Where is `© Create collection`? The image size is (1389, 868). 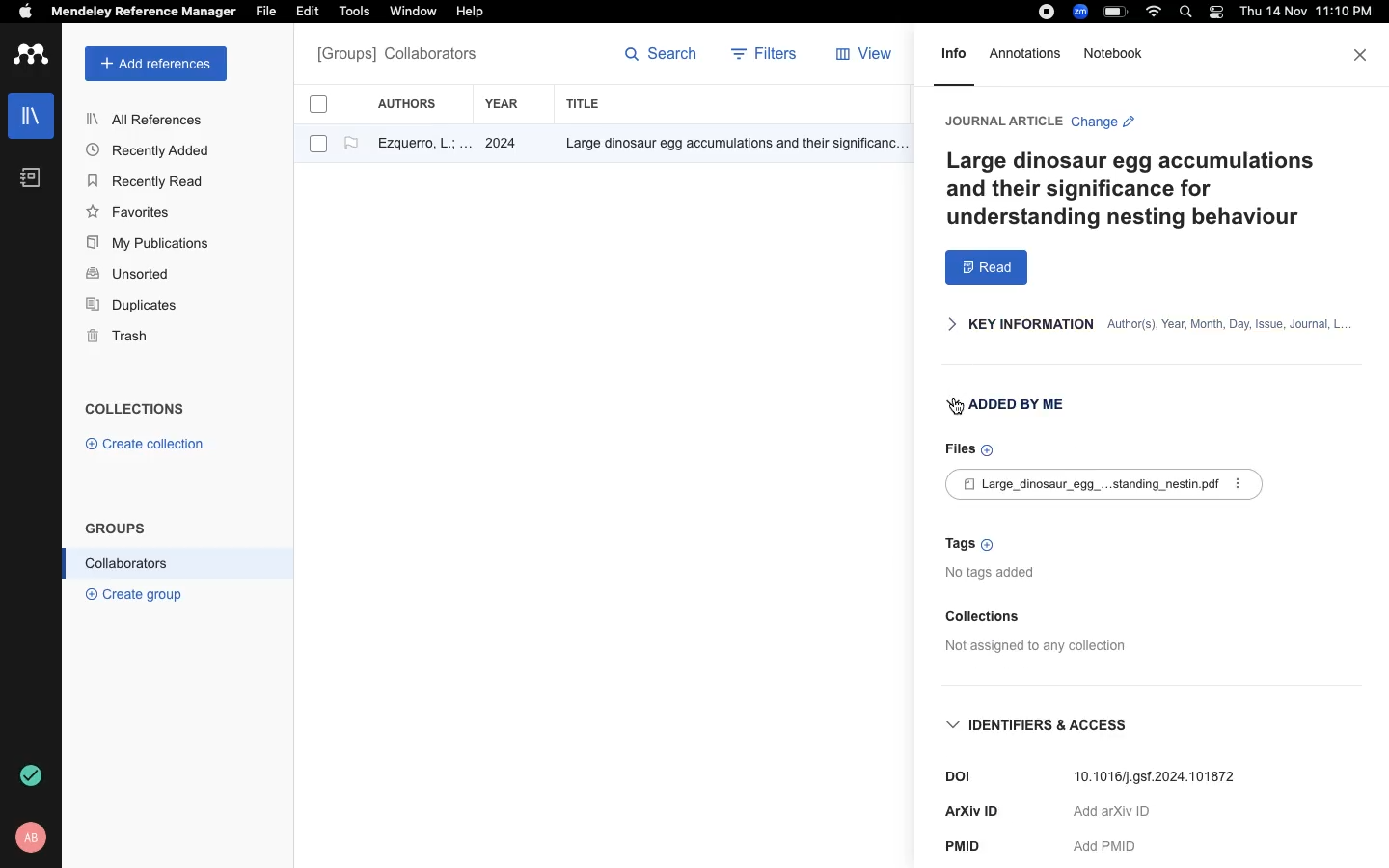
© Create collection is located at coordinates (146, 448).